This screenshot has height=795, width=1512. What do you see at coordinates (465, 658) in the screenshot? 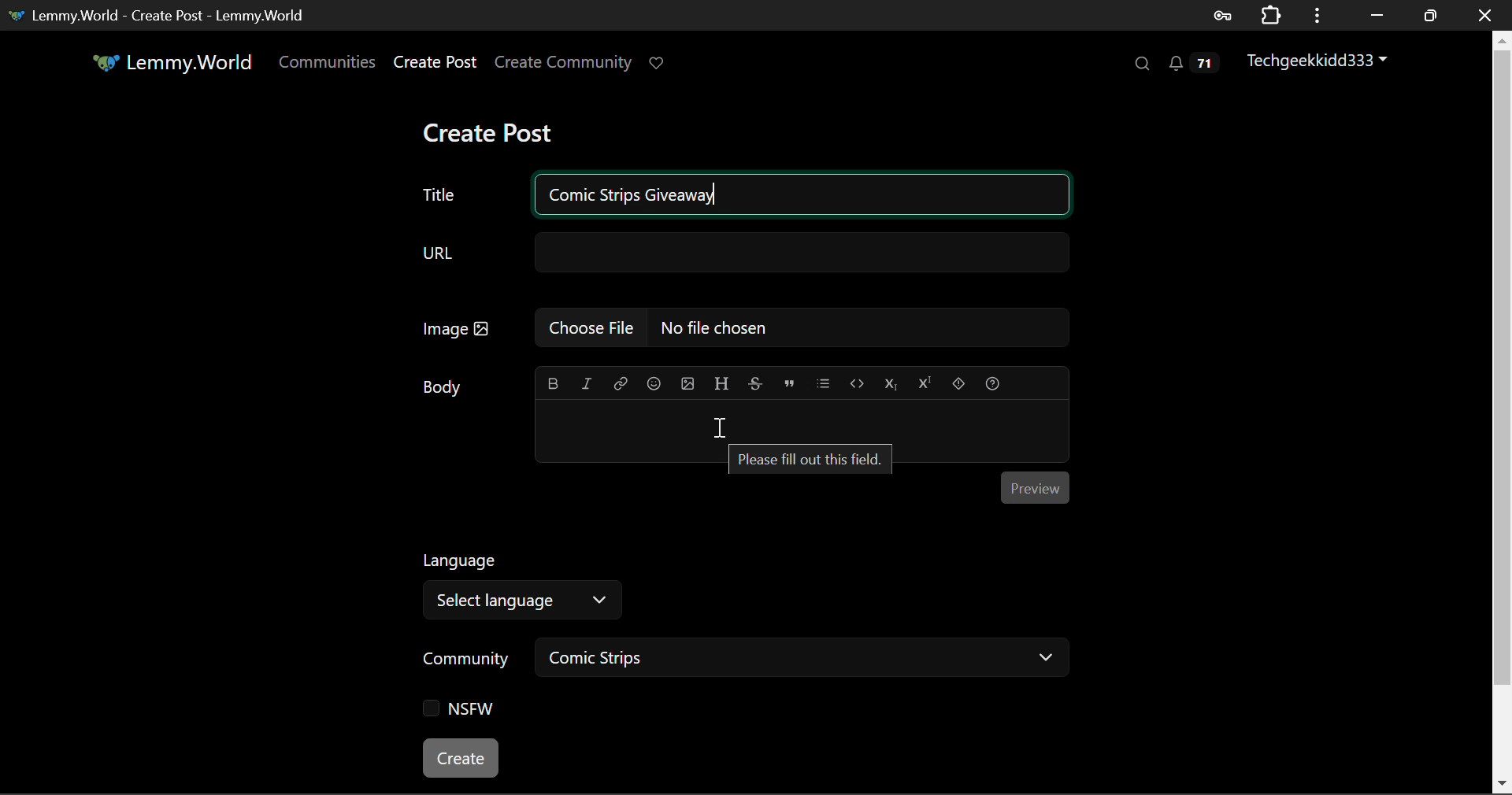
I see `Community` at bounding box center [465, 658].